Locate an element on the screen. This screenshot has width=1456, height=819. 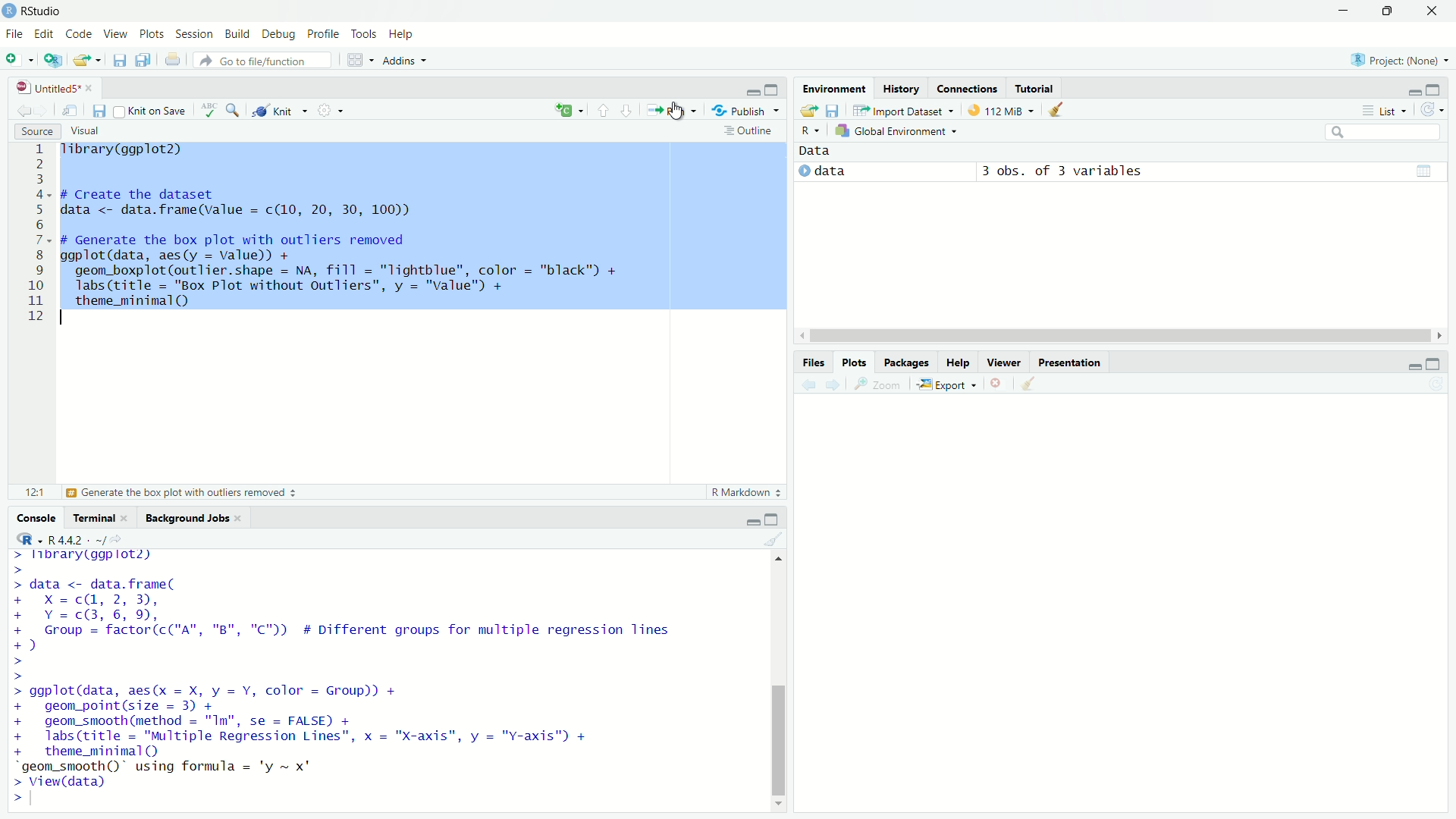
R Markdown is located at coordinates (739, 491).